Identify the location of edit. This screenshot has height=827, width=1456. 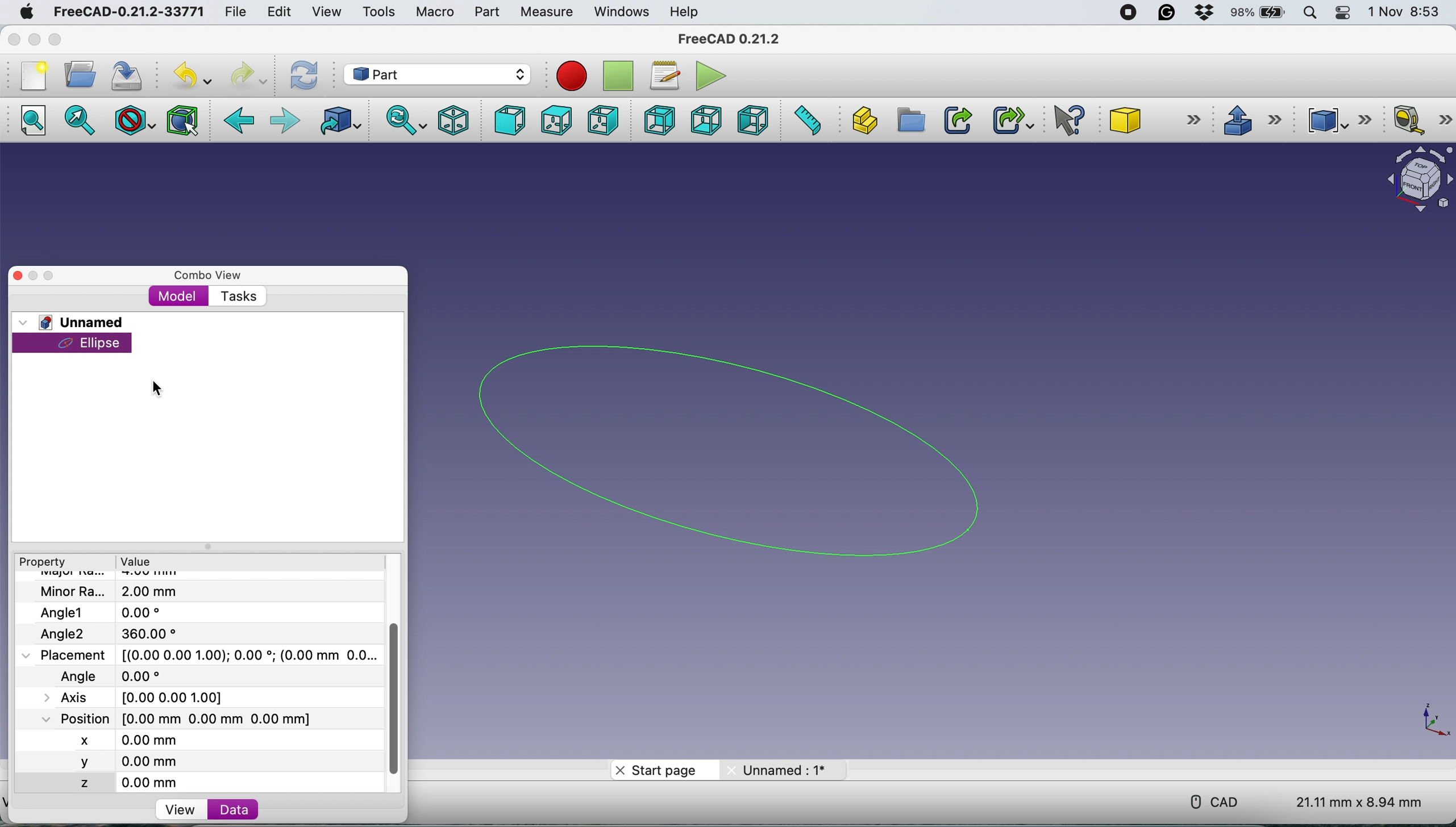
(279, 14).